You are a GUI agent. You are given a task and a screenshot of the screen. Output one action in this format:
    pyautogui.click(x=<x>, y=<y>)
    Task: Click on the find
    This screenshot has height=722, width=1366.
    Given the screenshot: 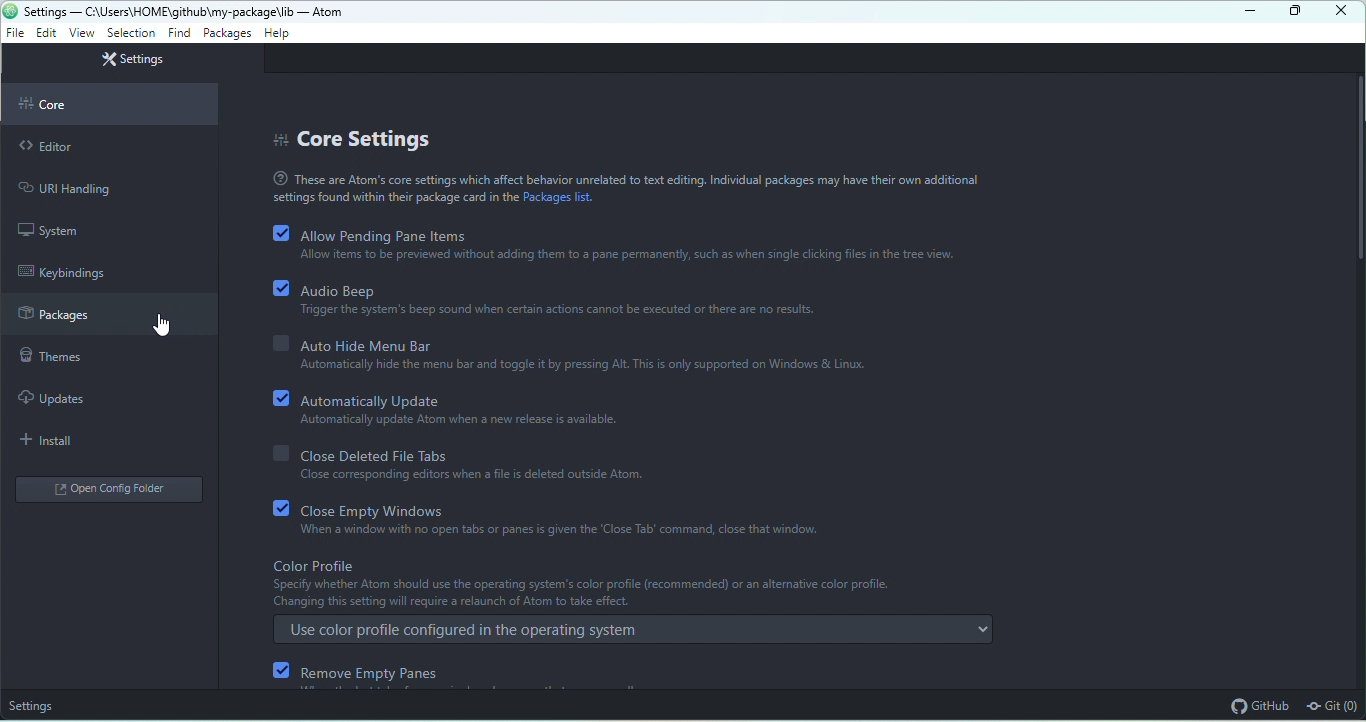 What is the action you would take?
    pyautogui.click(x=179, y=33)
    